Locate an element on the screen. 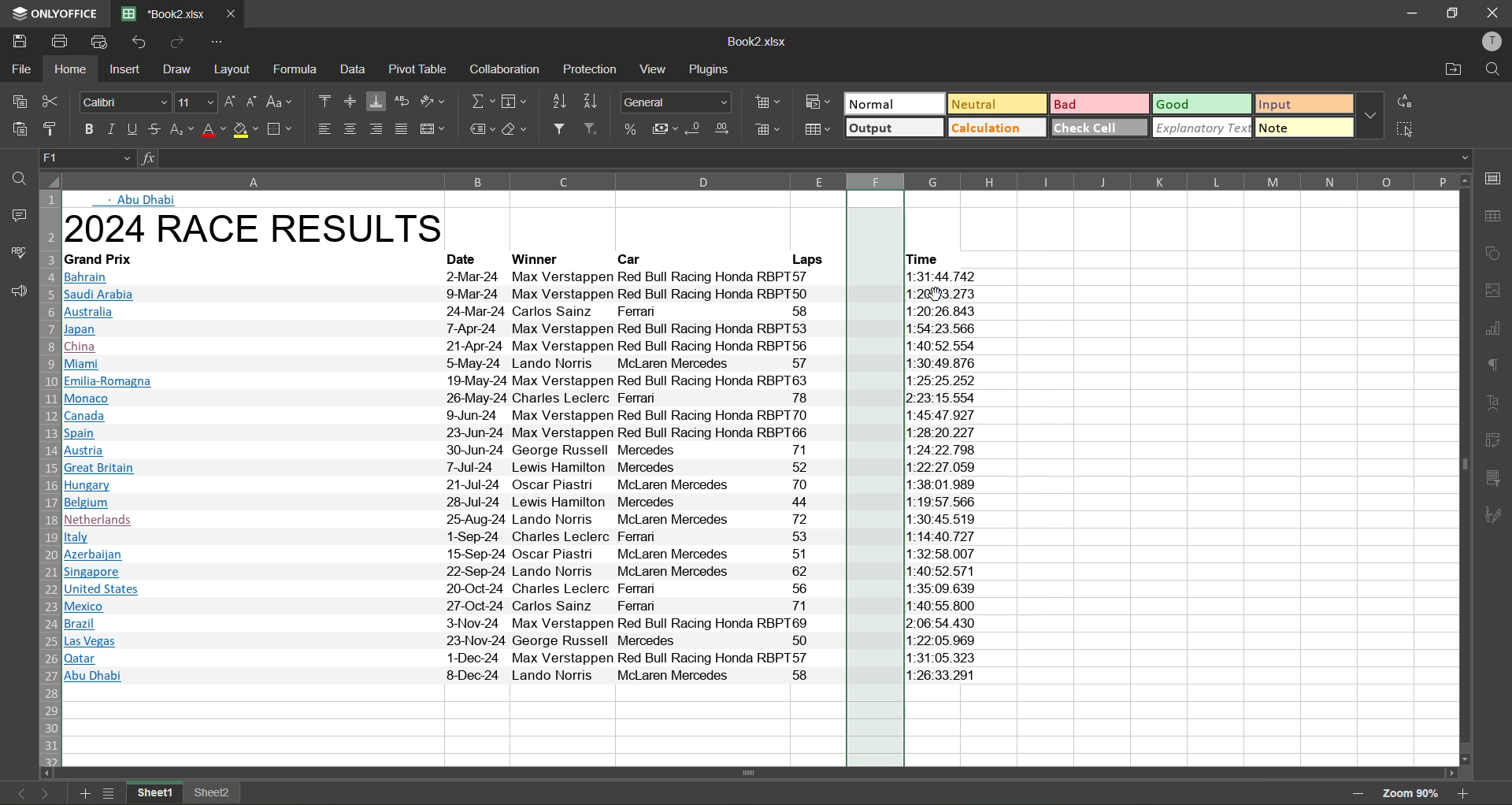 This screenshot has width=1512, height=805. column names is located at coordinates (755, 180).